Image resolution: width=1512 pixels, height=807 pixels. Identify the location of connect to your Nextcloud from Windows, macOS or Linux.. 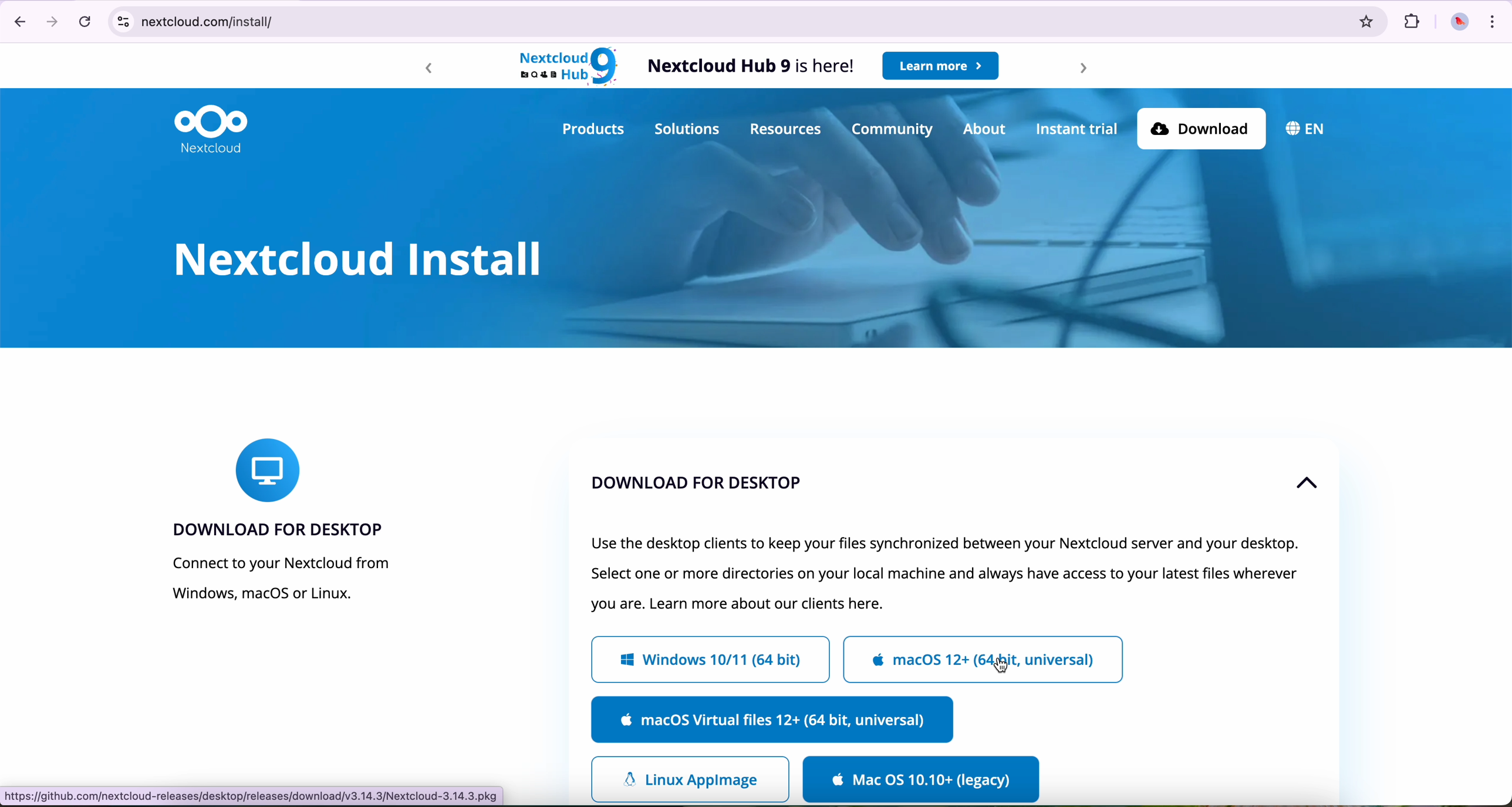
(278, 582).